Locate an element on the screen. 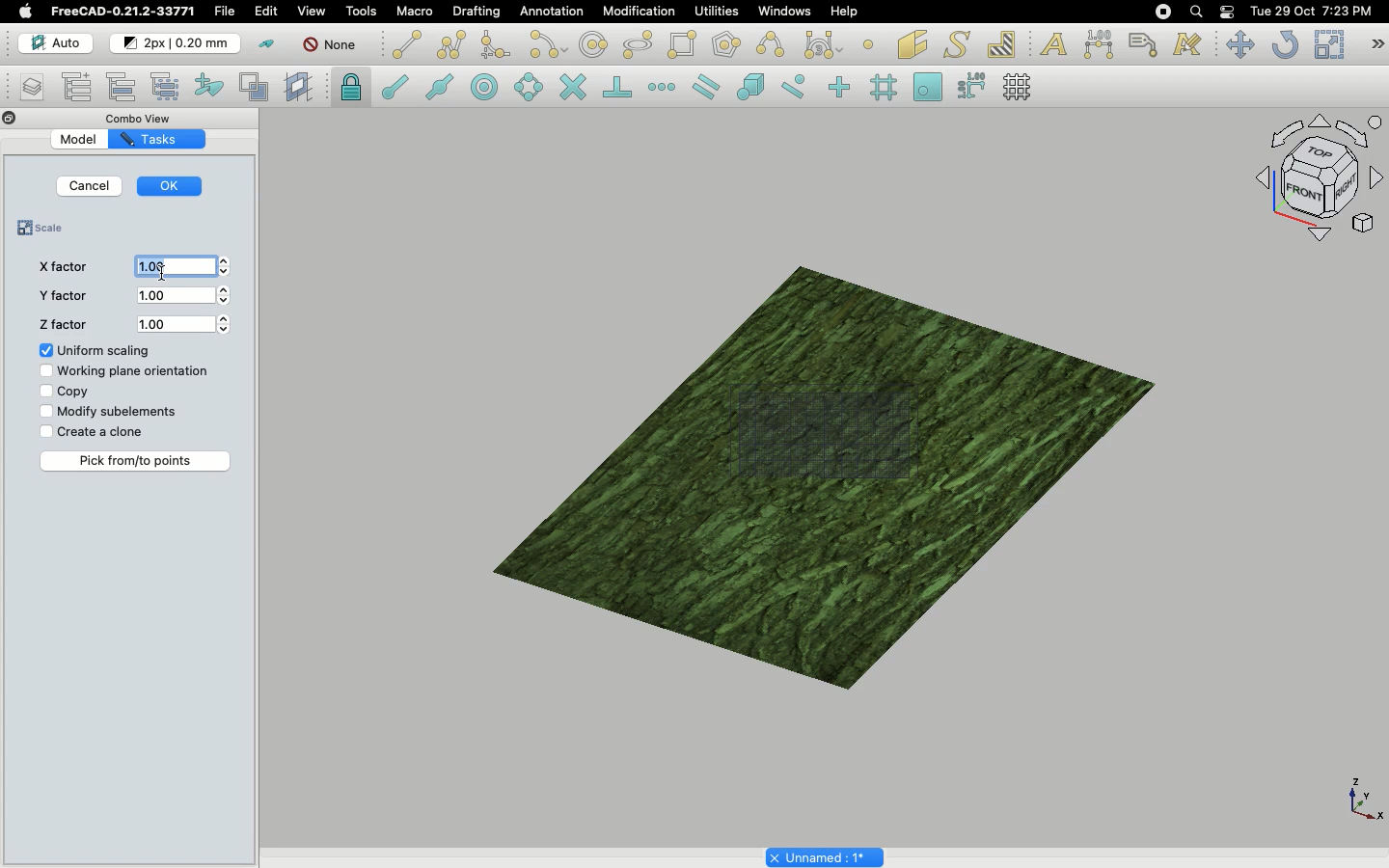 This screenshot has height=868, width=1389. Snap special is located at coordinates (748, 85).